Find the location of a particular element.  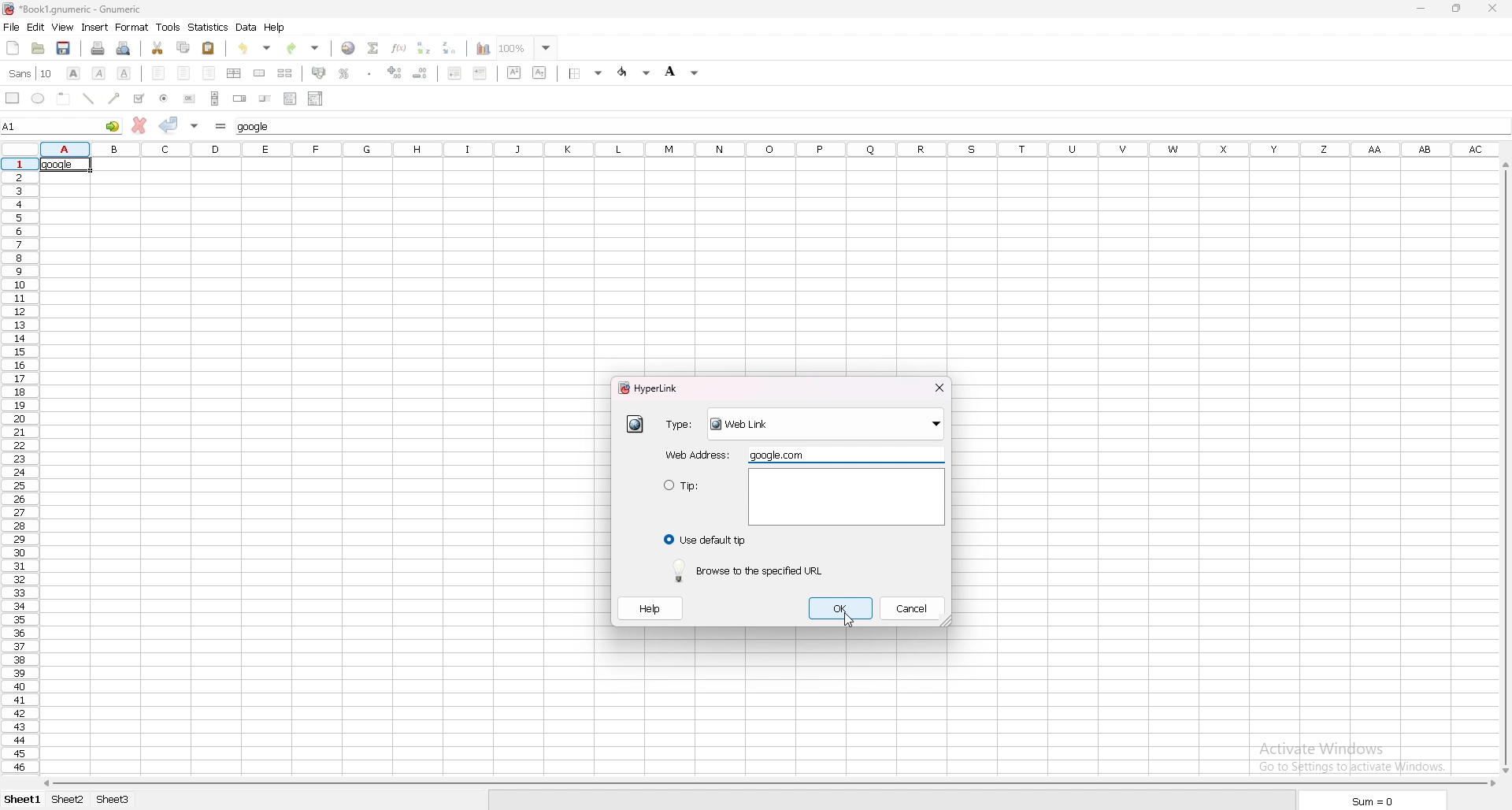

tip is located at coordinates (701, 497).